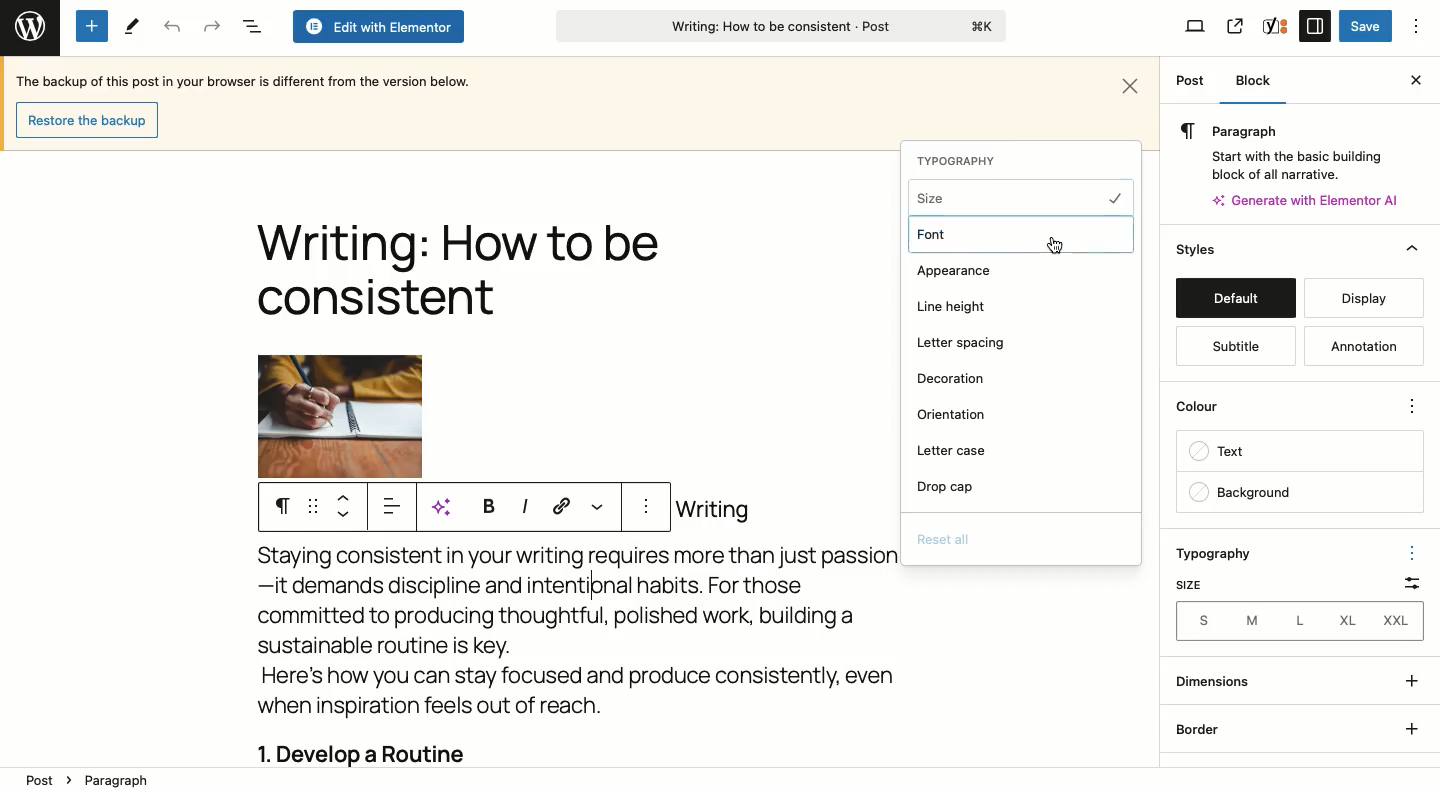 This screenshot has height=792, width=1440. I want to click on Backup text, so click(247, 80).